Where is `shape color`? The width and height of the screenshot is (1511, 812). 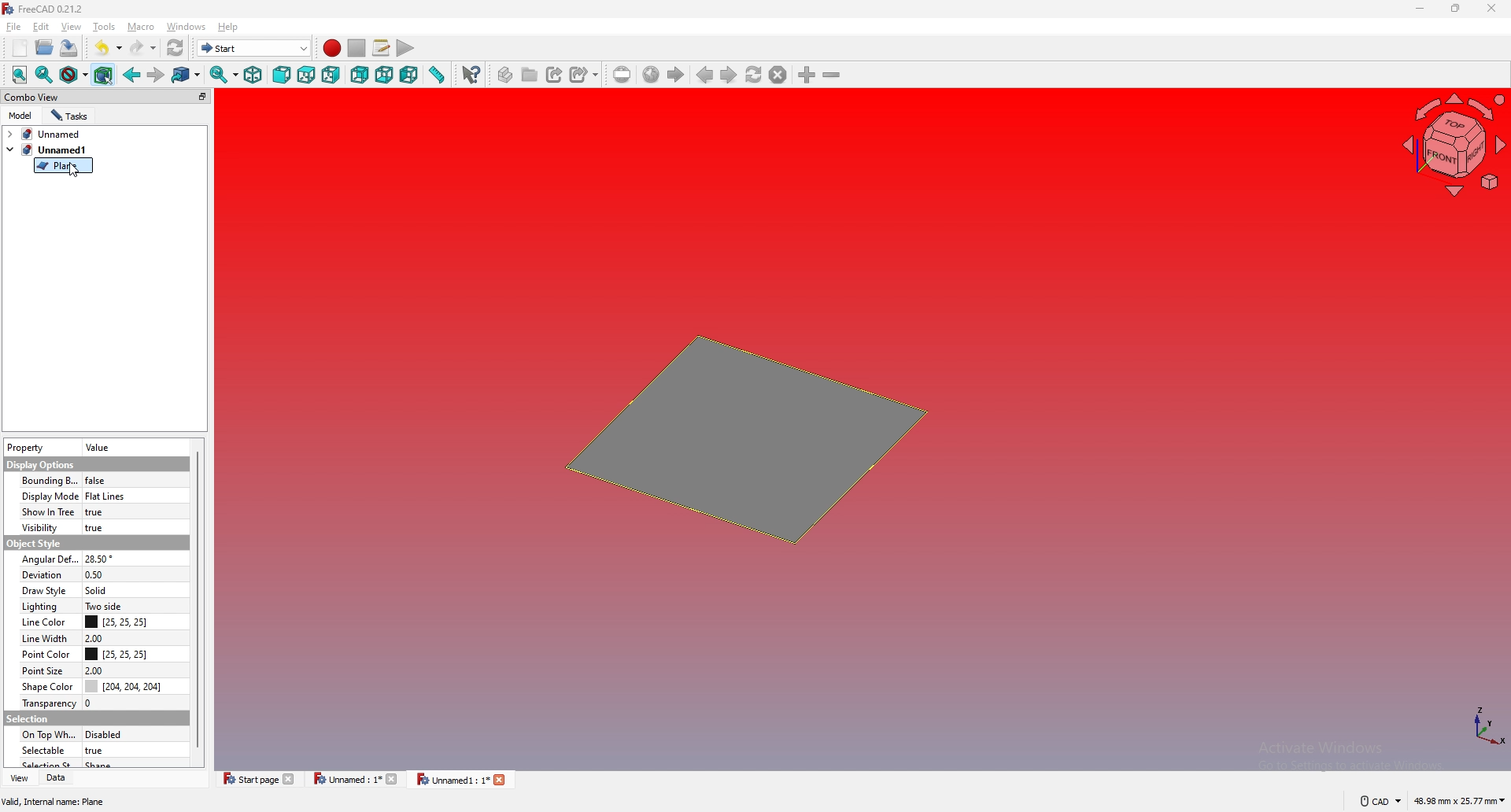 shape color is located at coordinates (48, 687).